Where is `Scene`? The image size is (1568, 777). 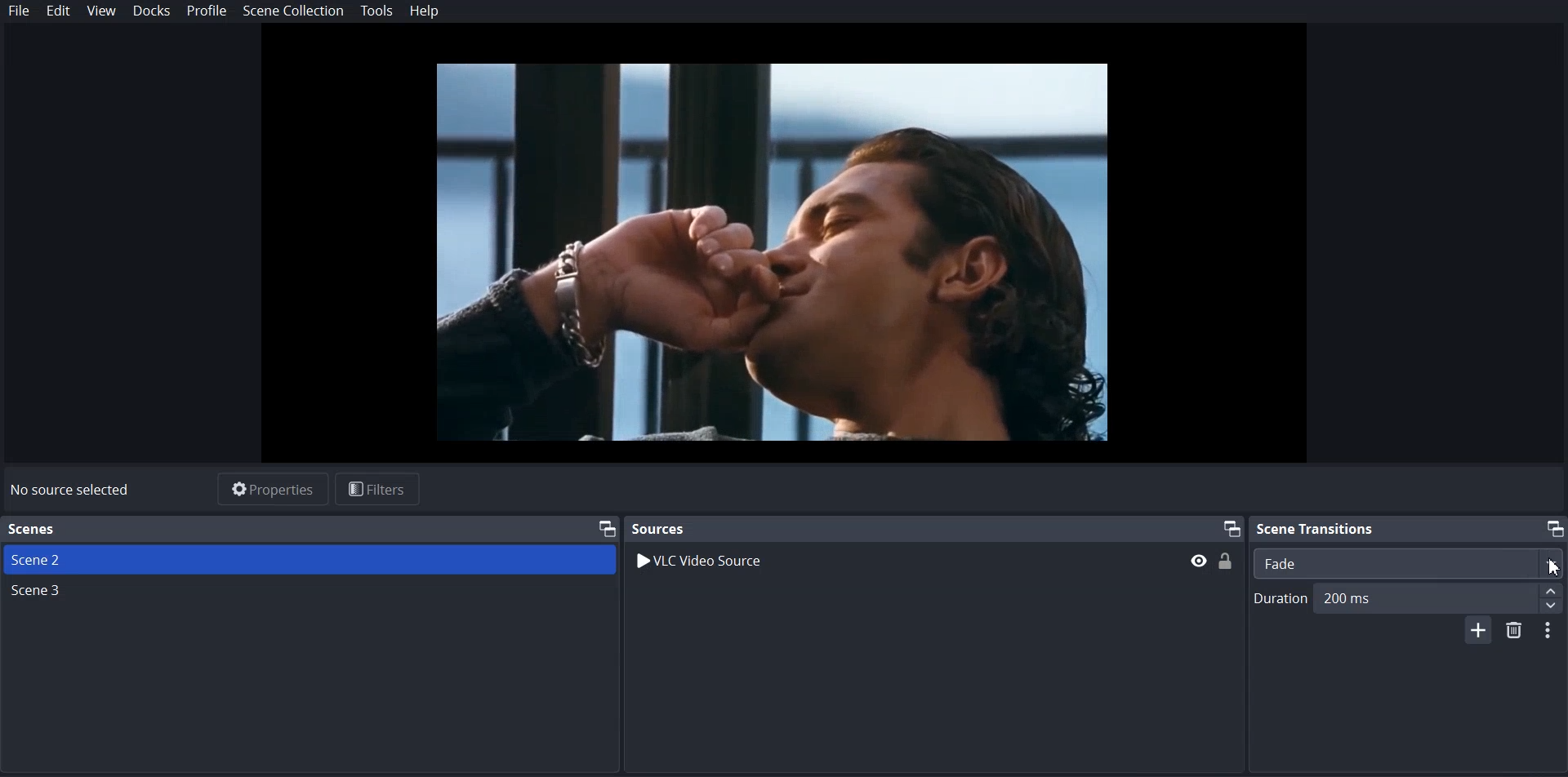 Scene is located at coordinates (40, 591).